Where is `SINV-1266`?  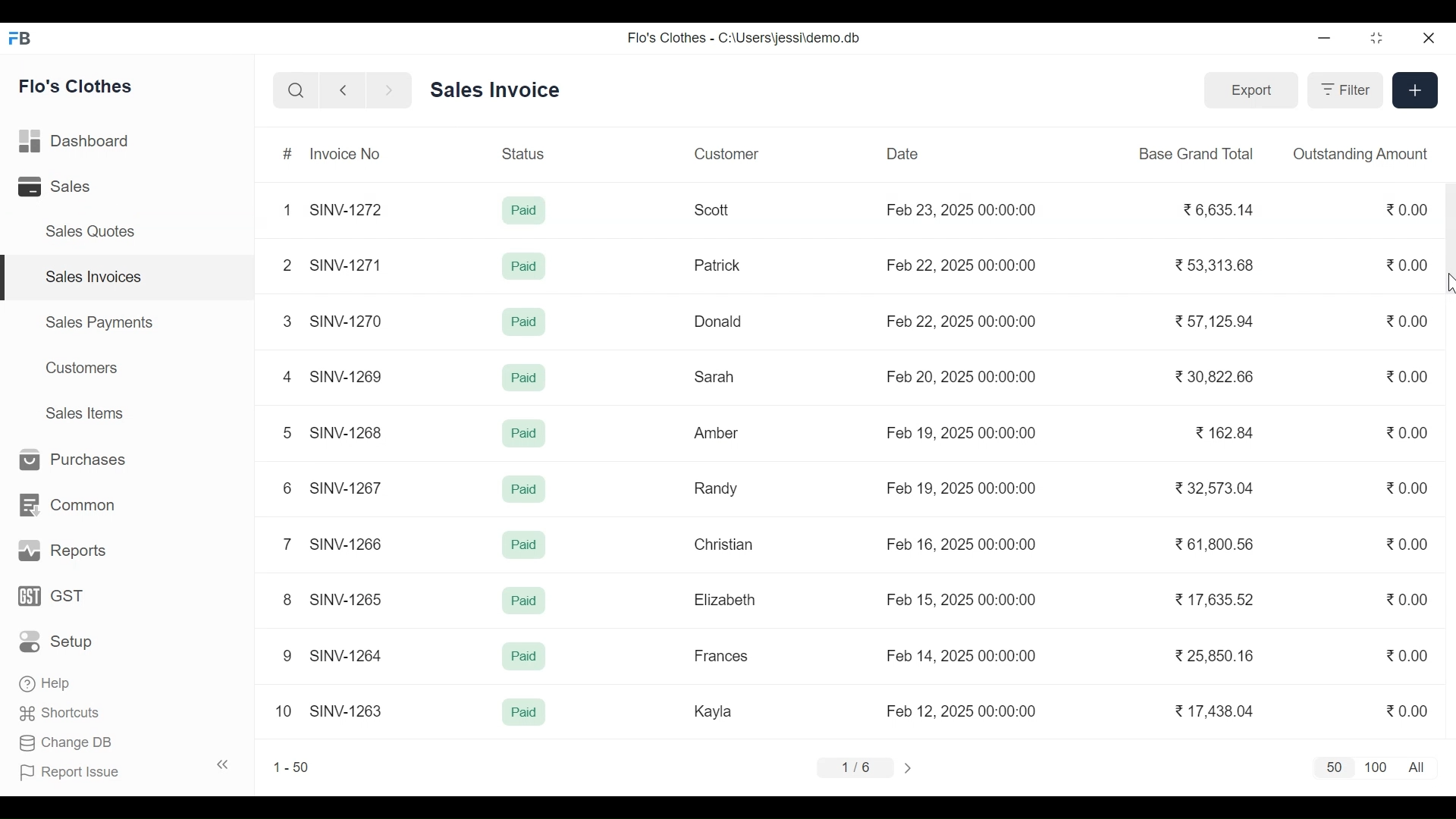 SINV-1266 is located at coordinates (350, 544).